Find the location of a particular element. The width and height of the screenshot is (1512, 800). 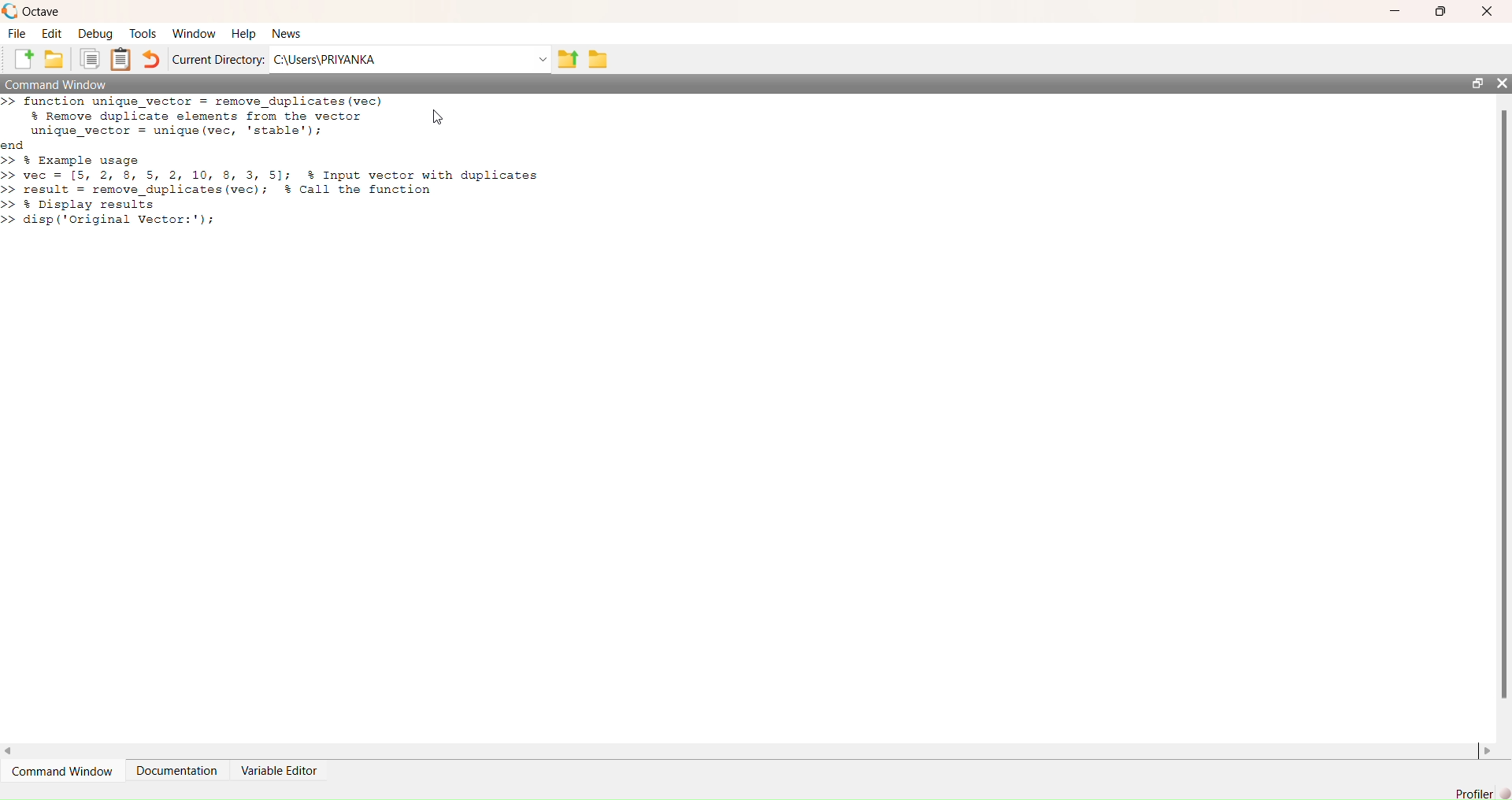

debug is located at coordinates (97, 35).